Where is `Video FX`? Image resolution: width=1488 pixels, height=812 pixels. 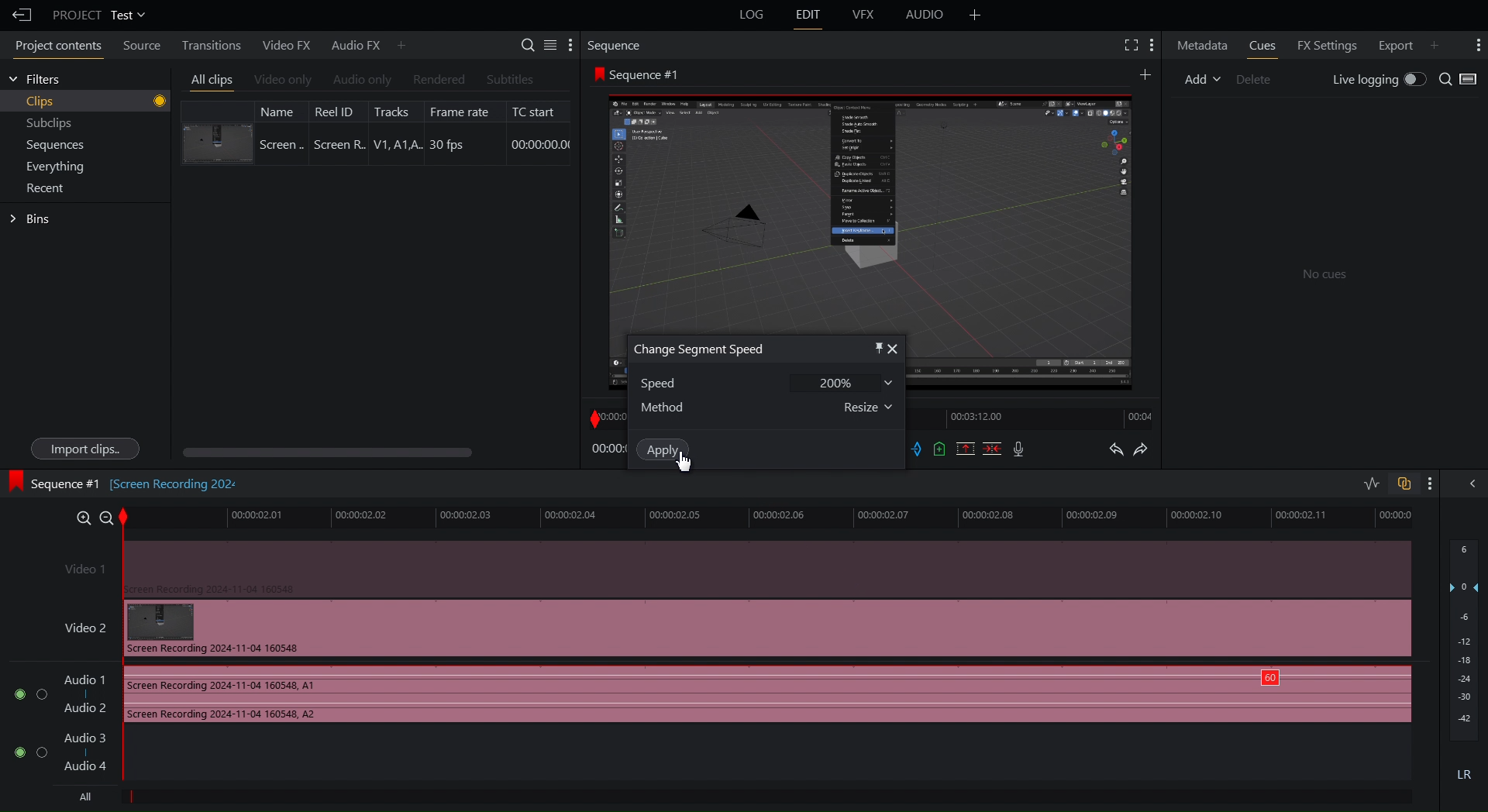
Video FX is located at coordinates (284, 45).